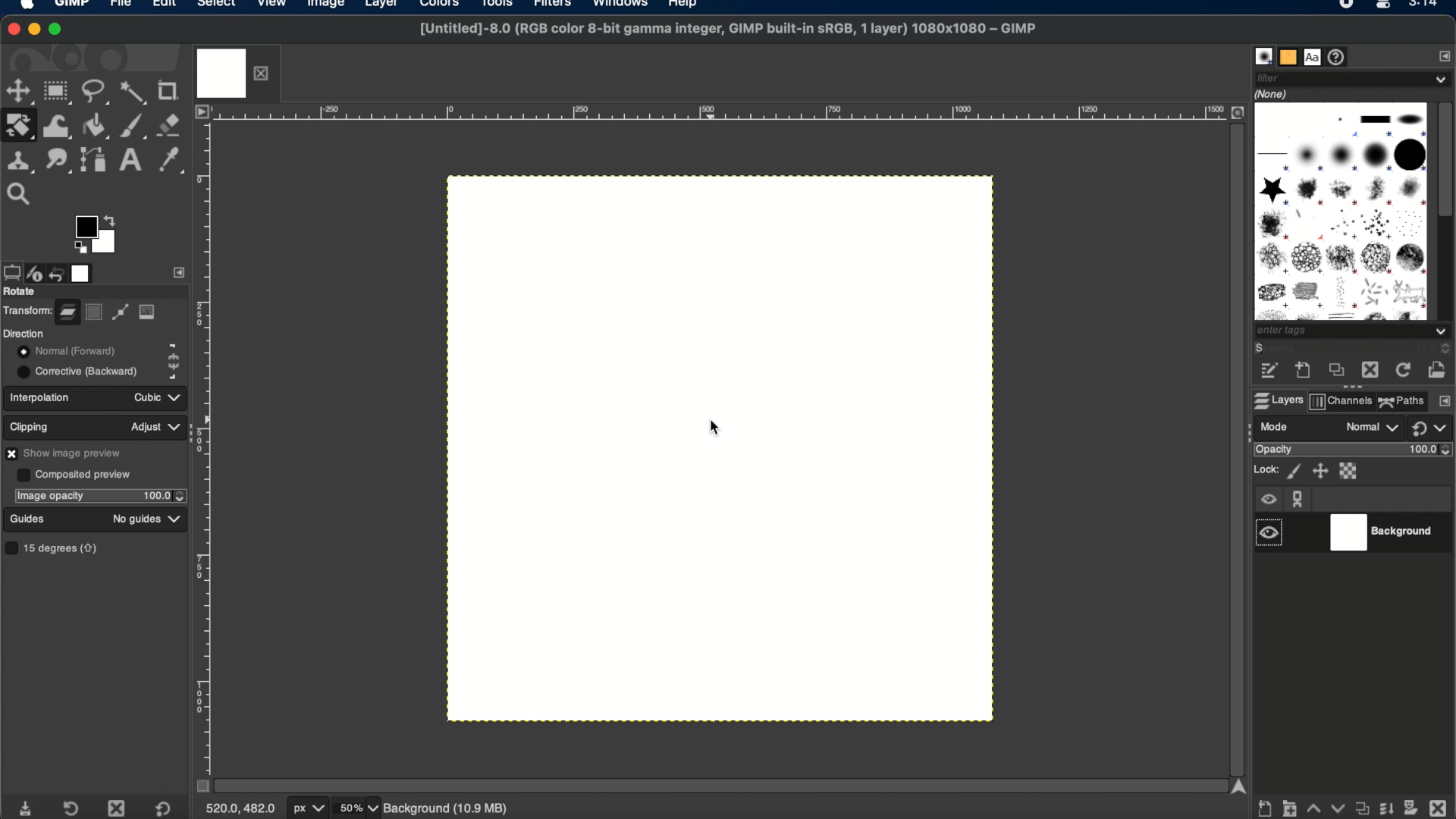 This screenshot has width=1456, height=819. What do you see at coordinates (1402, 400) in the screenshot?
I see `paths` at bounding box center [1402, 400].